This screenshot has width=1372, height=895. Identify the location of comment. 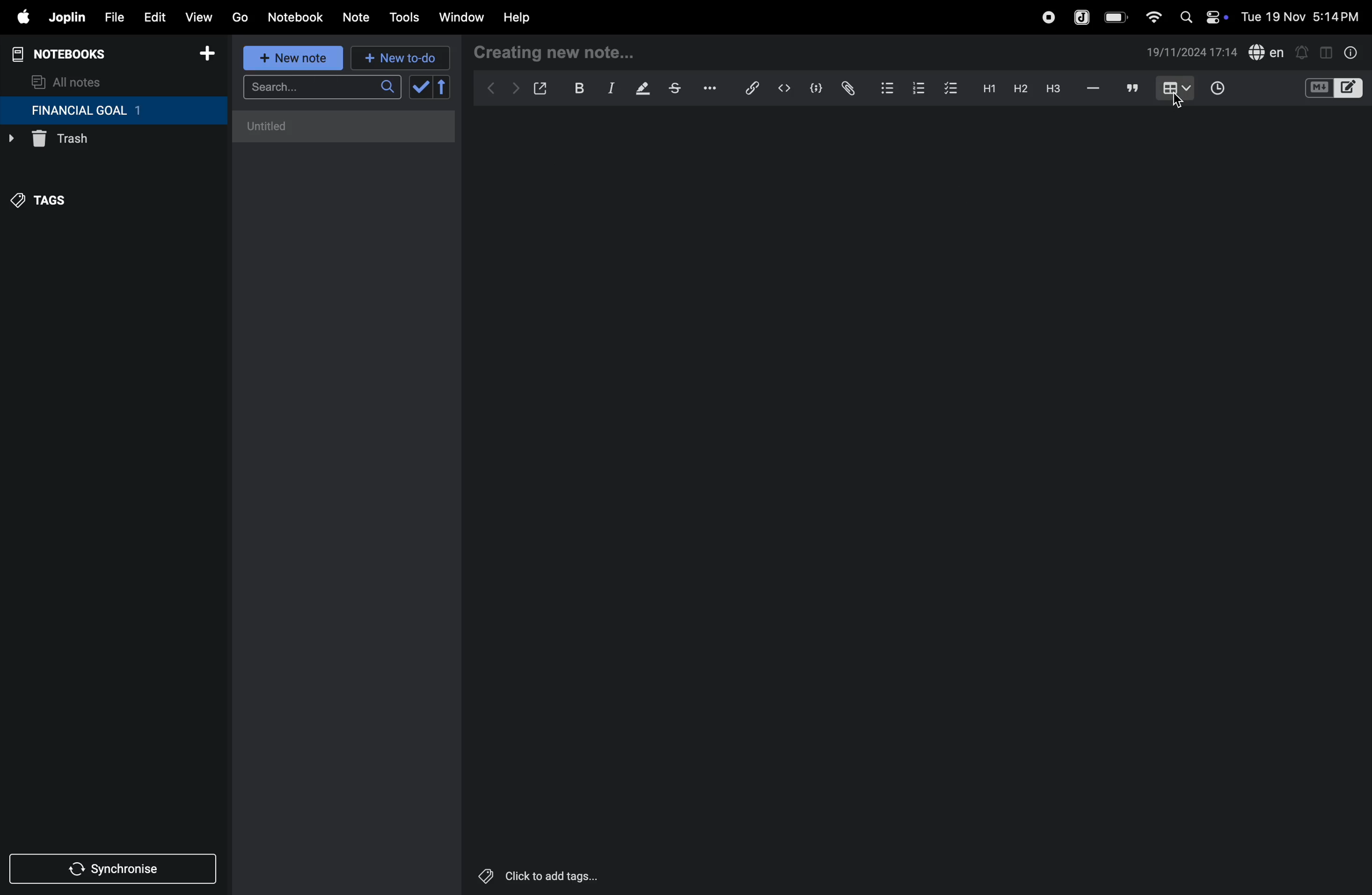
(1130, 88).